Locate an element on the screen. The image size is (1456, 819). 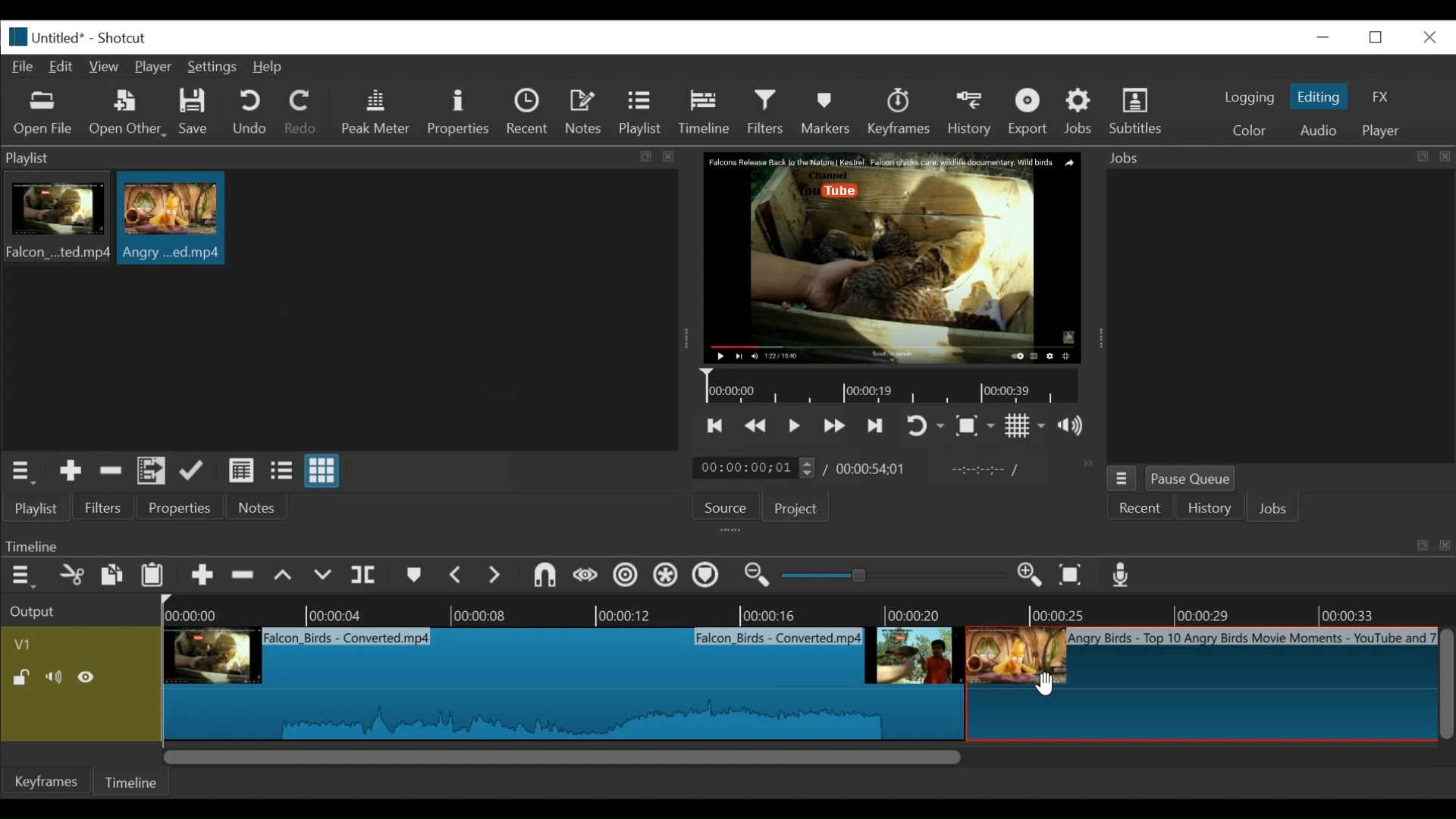
Timeline menu is located at coordinates (25, 576).